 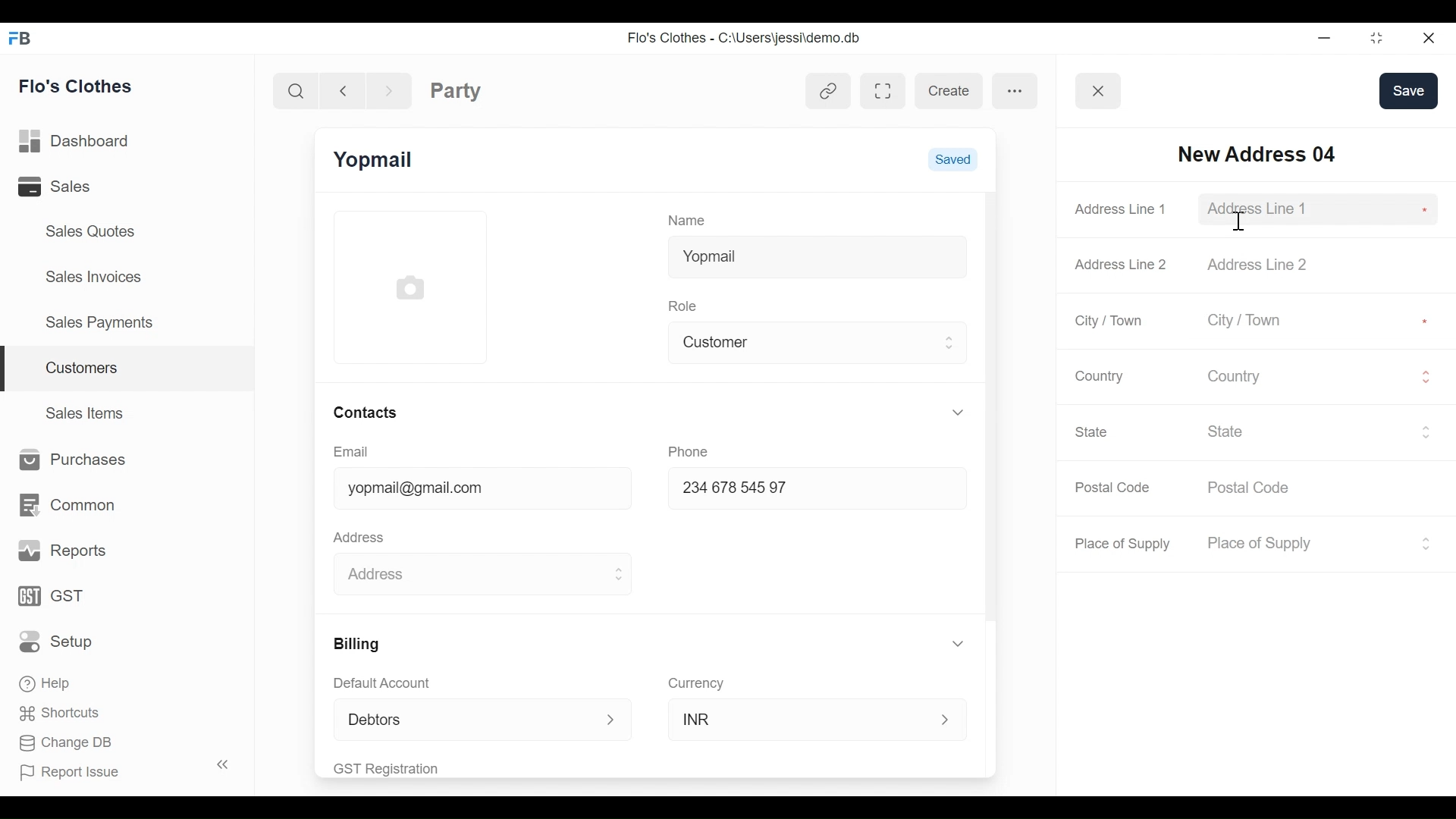 I want to click on Navigate Forward, so click(x=389, y=89).